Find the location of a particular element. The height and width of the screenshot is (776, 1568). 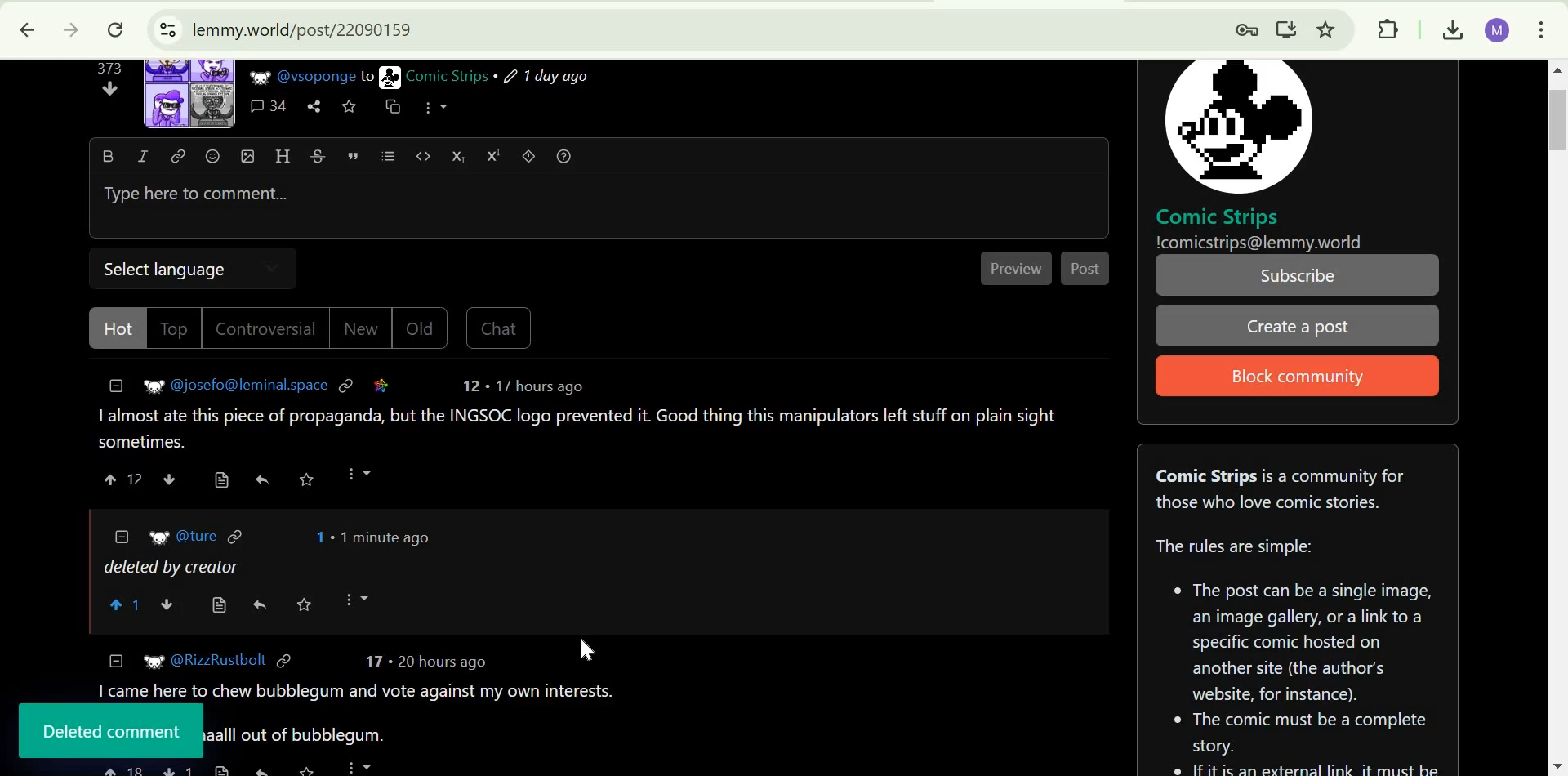

Type here to comment is located at coordinates (596, 207).